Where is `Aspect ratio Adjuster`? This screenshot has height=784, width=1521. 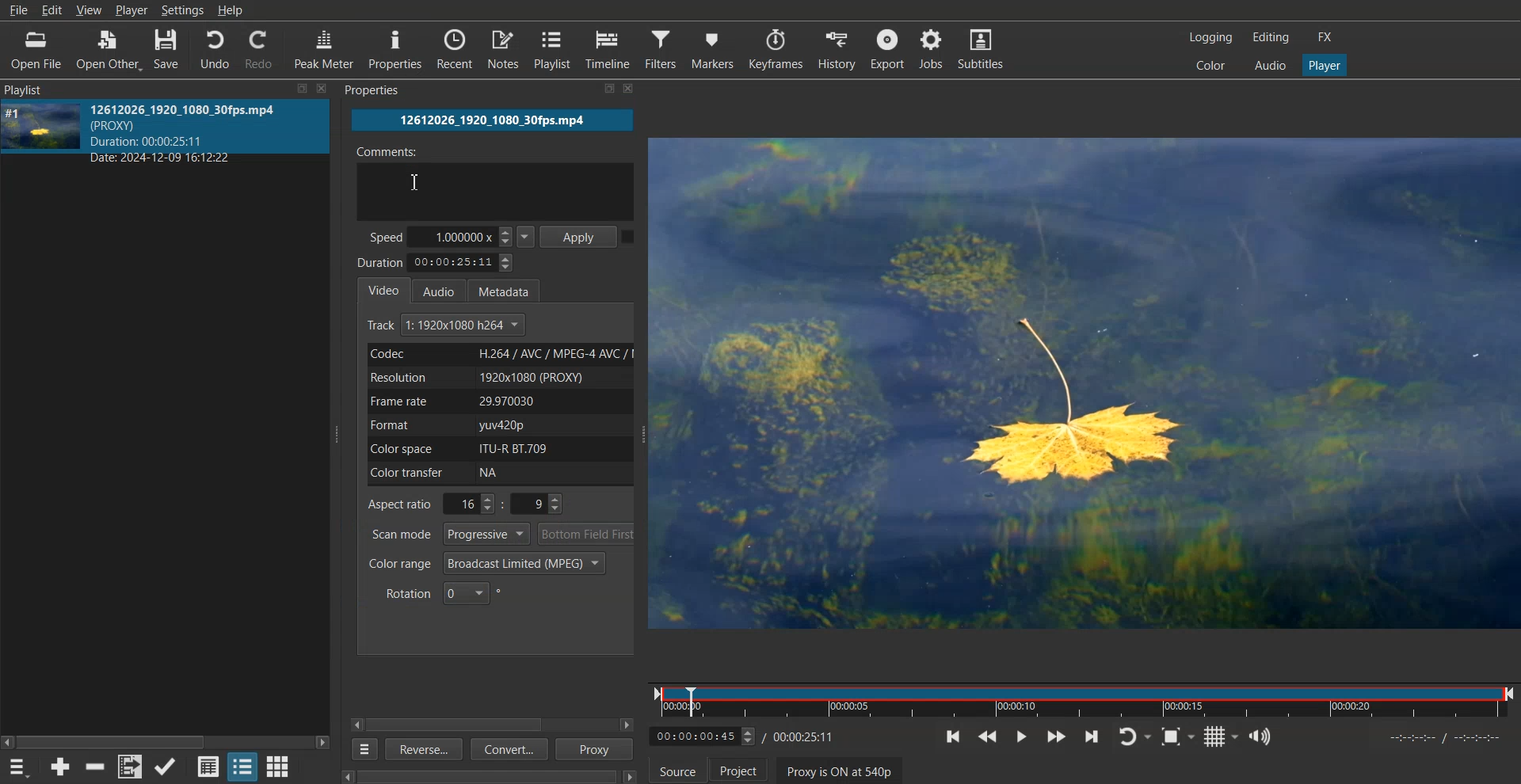
Aspect ratio Adjuster is located at coordinates (467, 504).